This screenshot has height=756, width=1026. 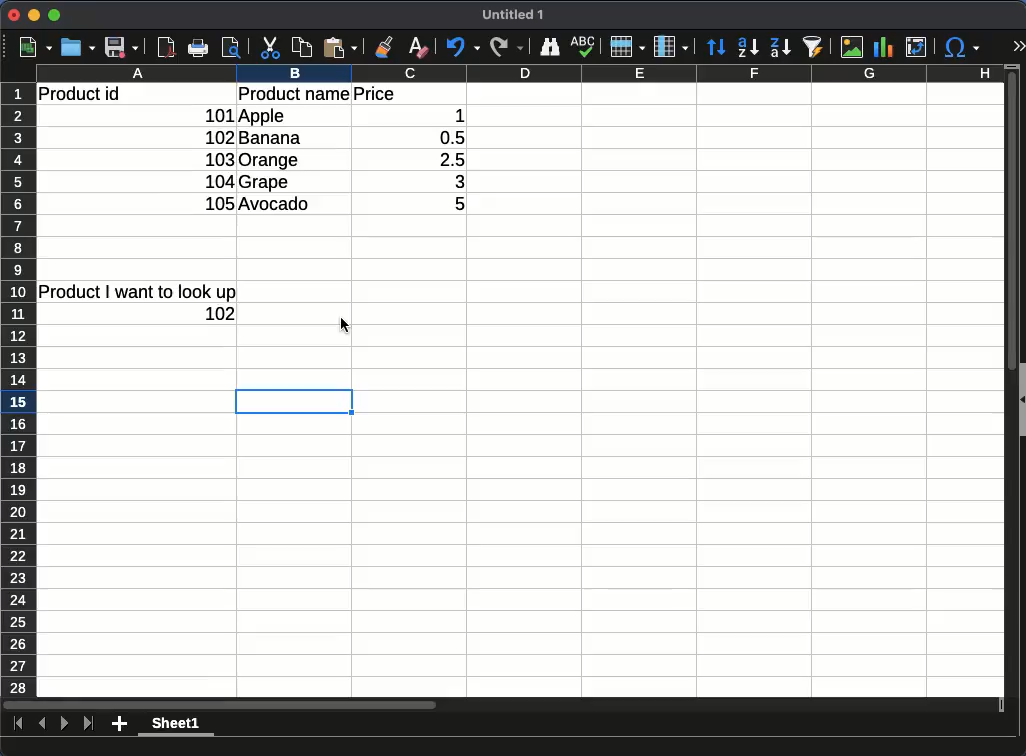 I want to click on ascending , so click(x=748, y=47).